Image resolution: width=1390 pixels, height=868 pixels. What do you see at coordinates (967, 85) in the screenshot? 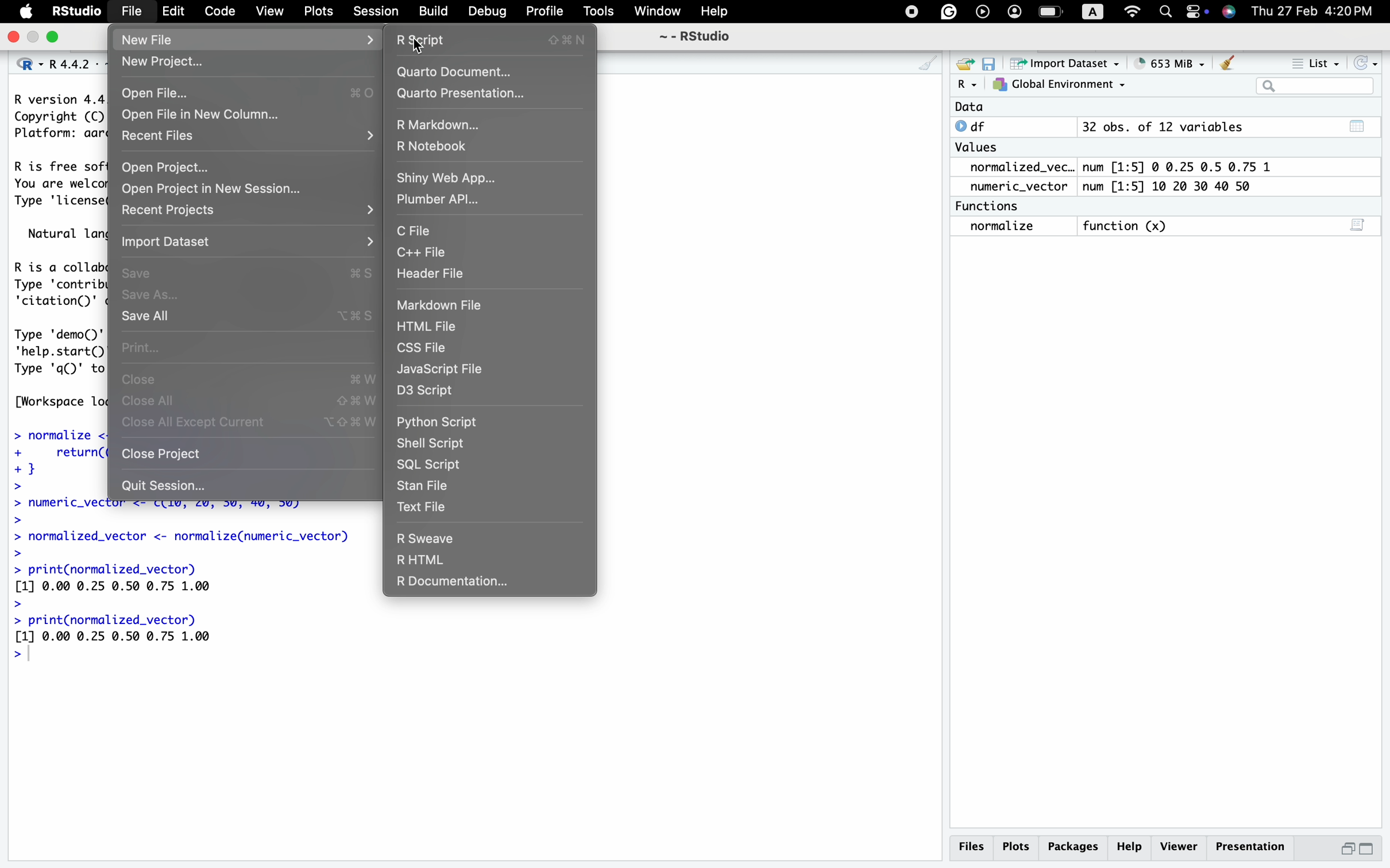
I see `R` at bounding box center [967, 85].